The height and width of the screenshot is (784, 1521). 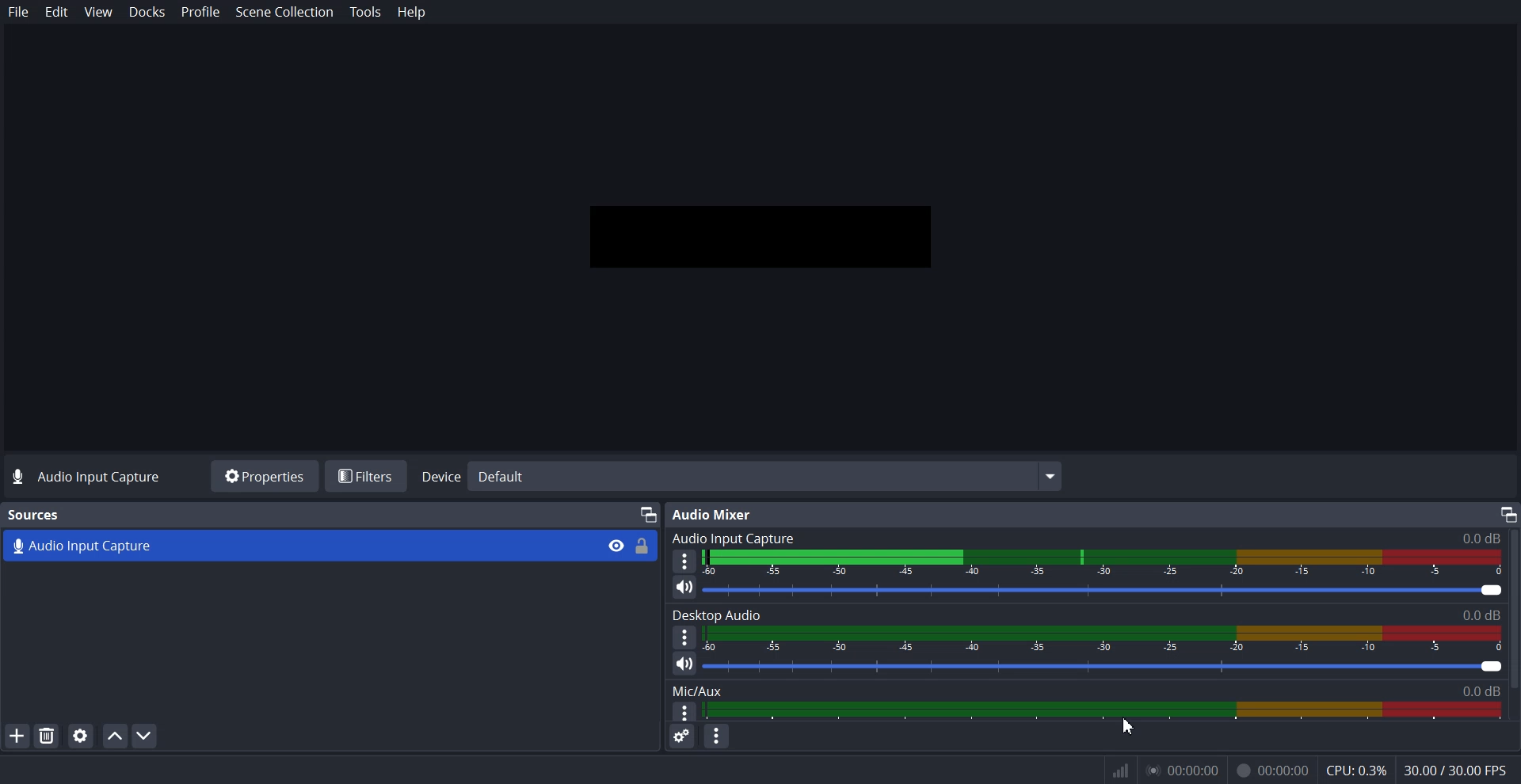 What do you see at coordinates (367, 475) in the screenshot?
I see `Filters` at bounding box center [367, 475].